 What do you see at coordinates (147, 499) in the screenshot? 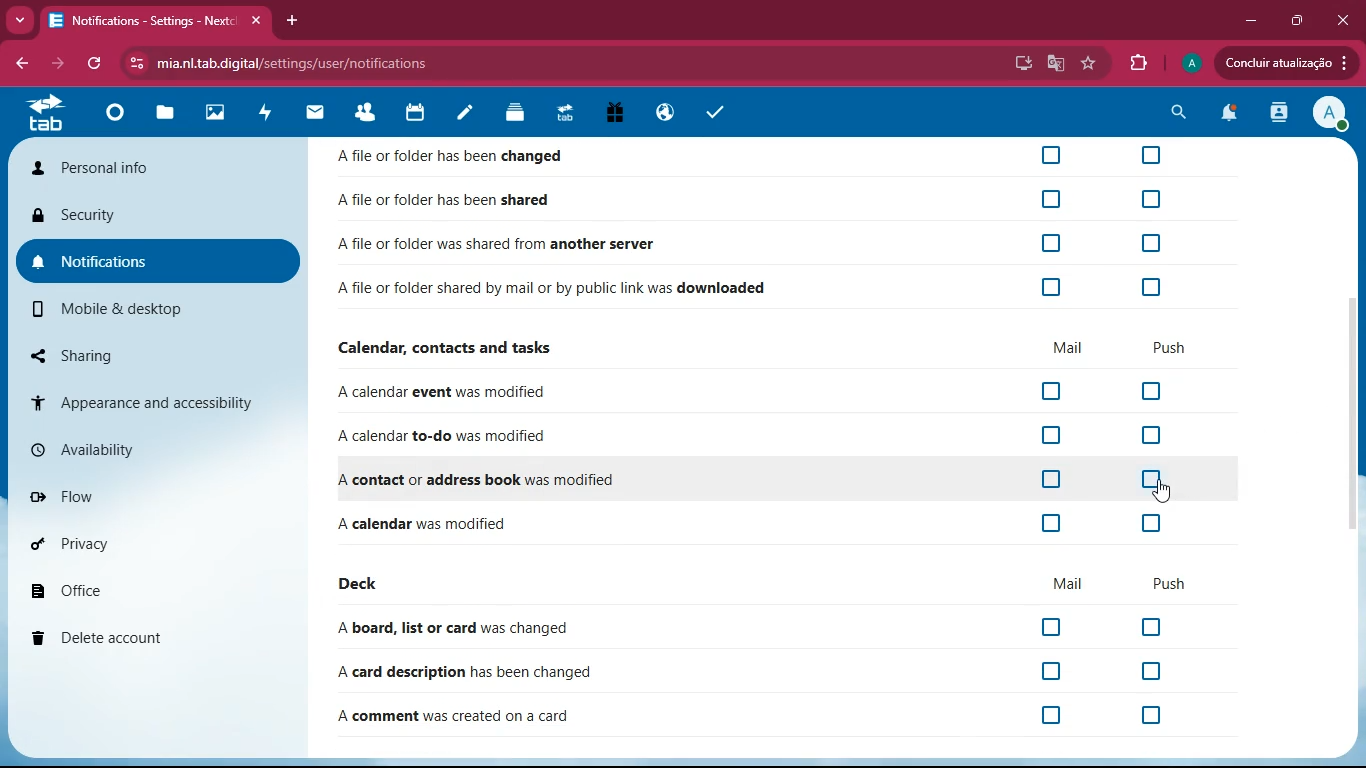
I see `flow` at bounding box center [147, 499].